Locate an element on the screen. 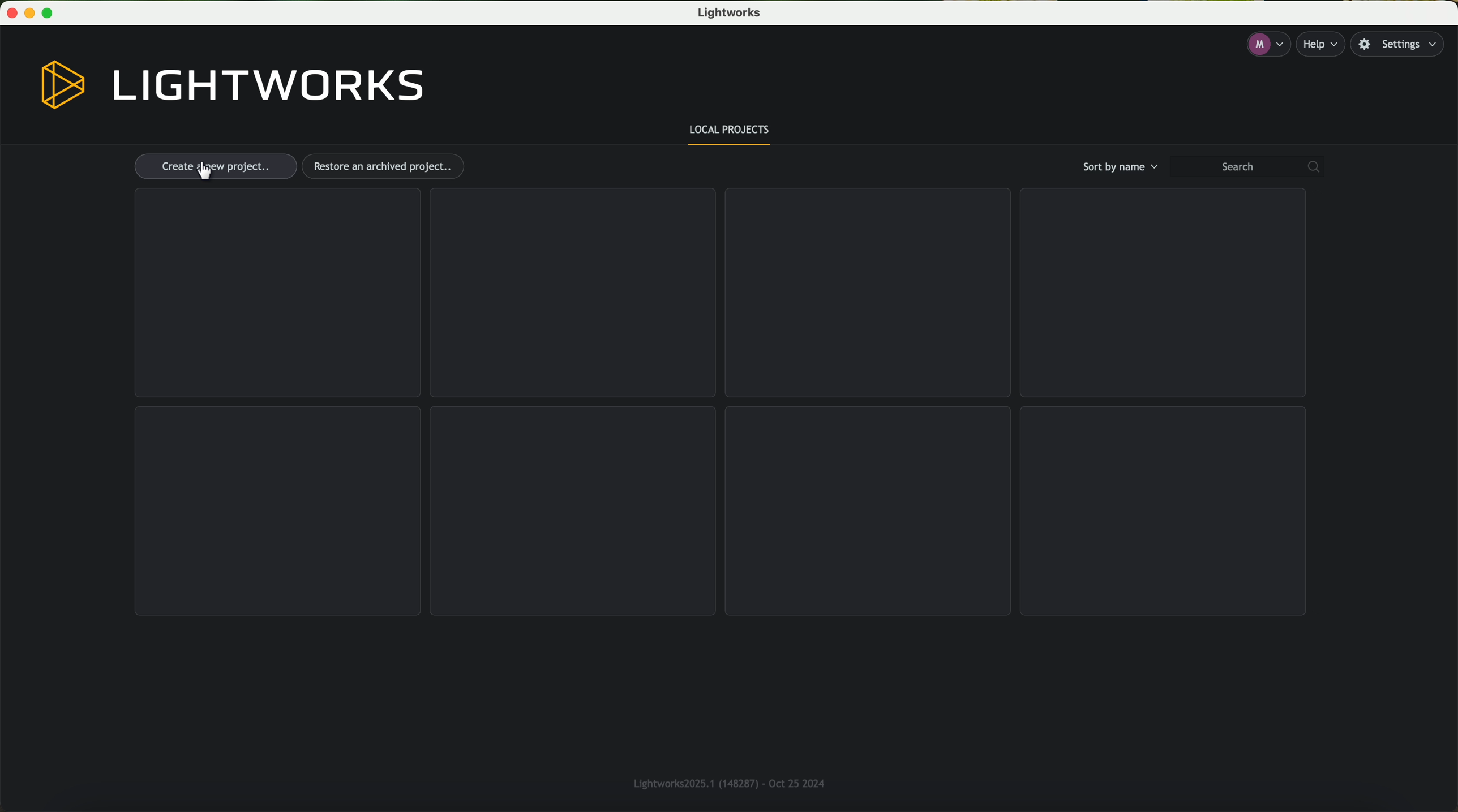  restore an archived project is located at coordinates (386, 166).